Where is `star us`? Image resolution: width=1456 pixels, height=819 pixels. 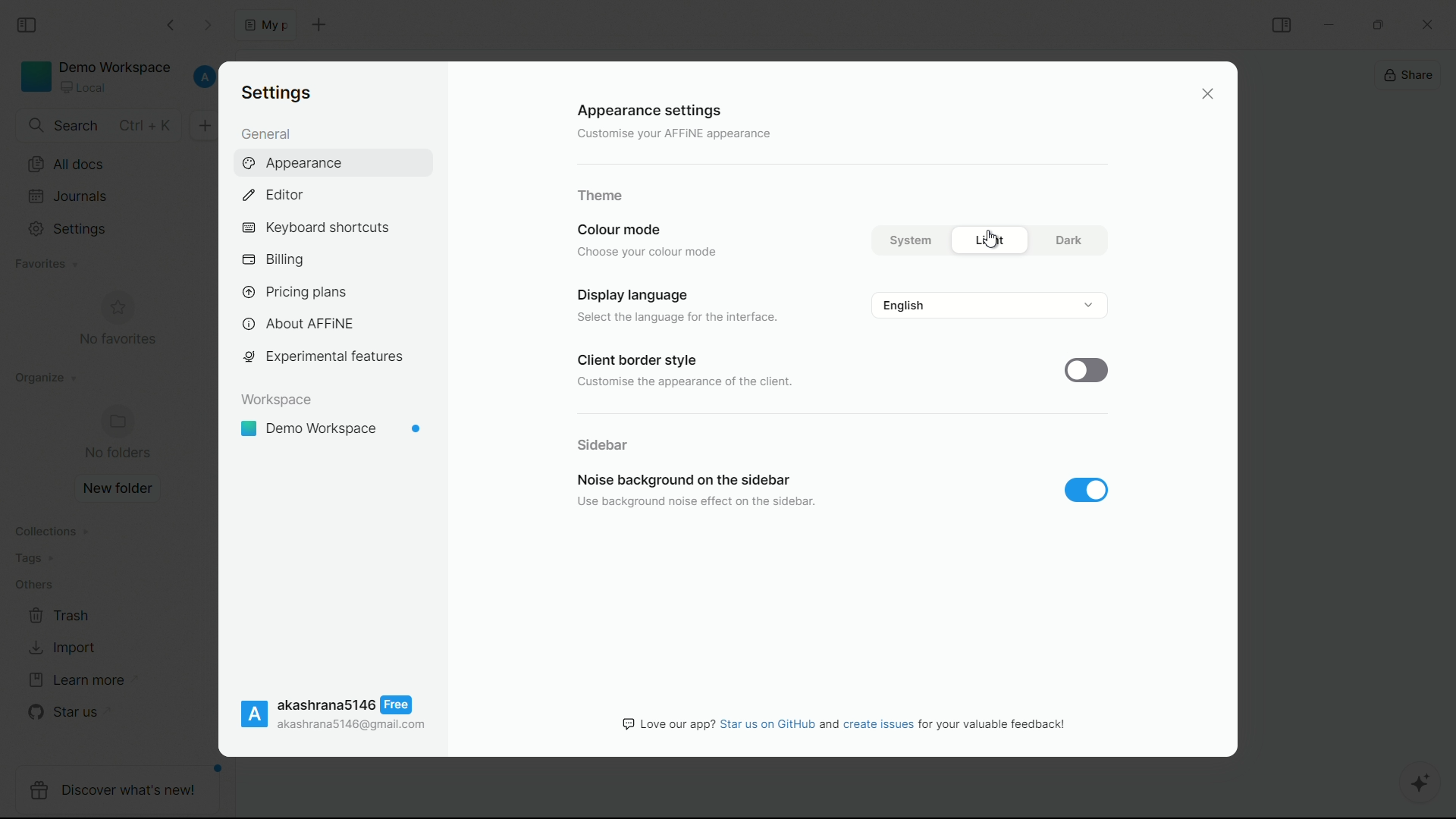 star us is located at coordinates (64, 714).